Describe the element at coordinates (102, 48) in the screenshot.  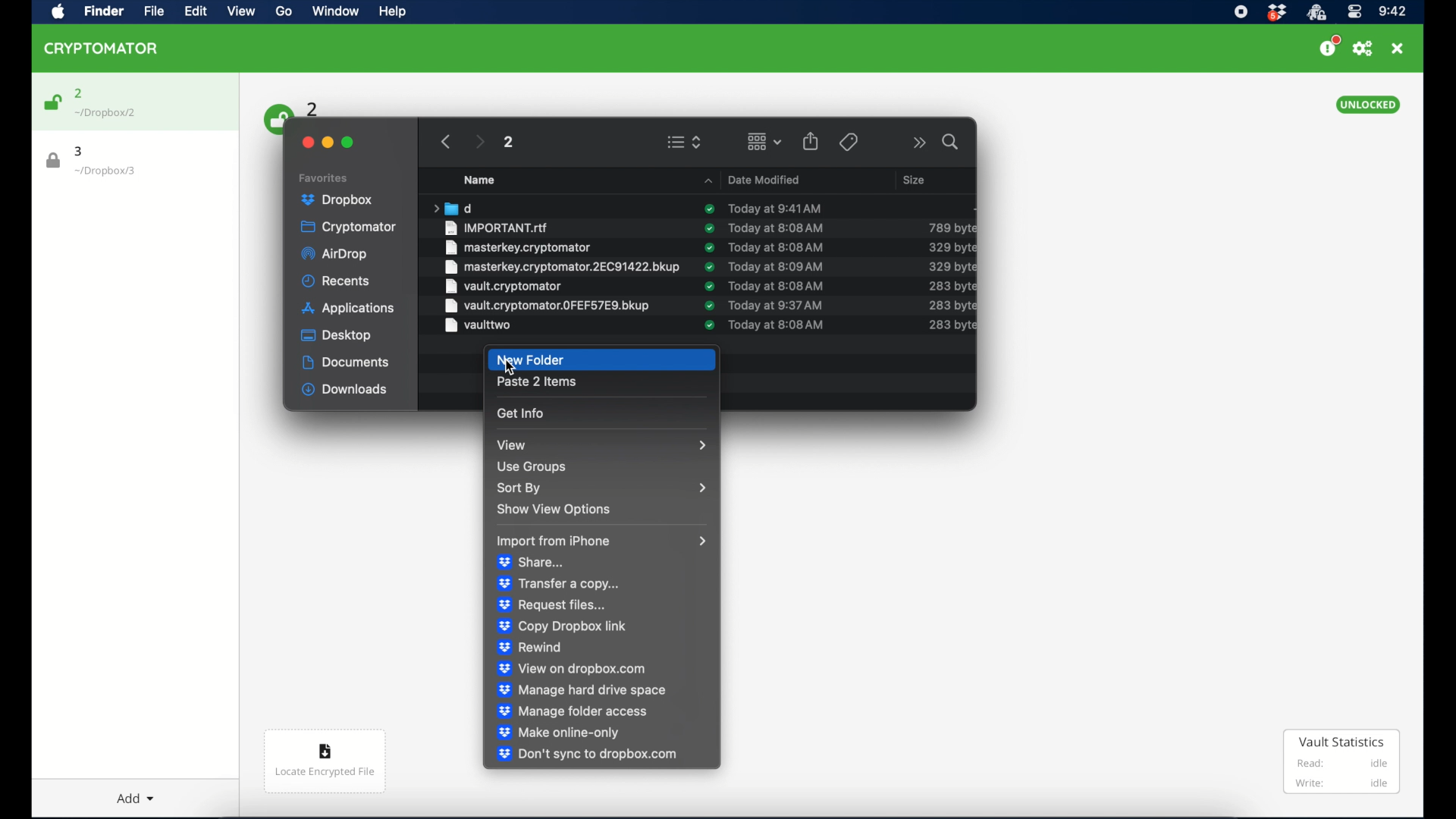
I see `cryptomator` at that location.